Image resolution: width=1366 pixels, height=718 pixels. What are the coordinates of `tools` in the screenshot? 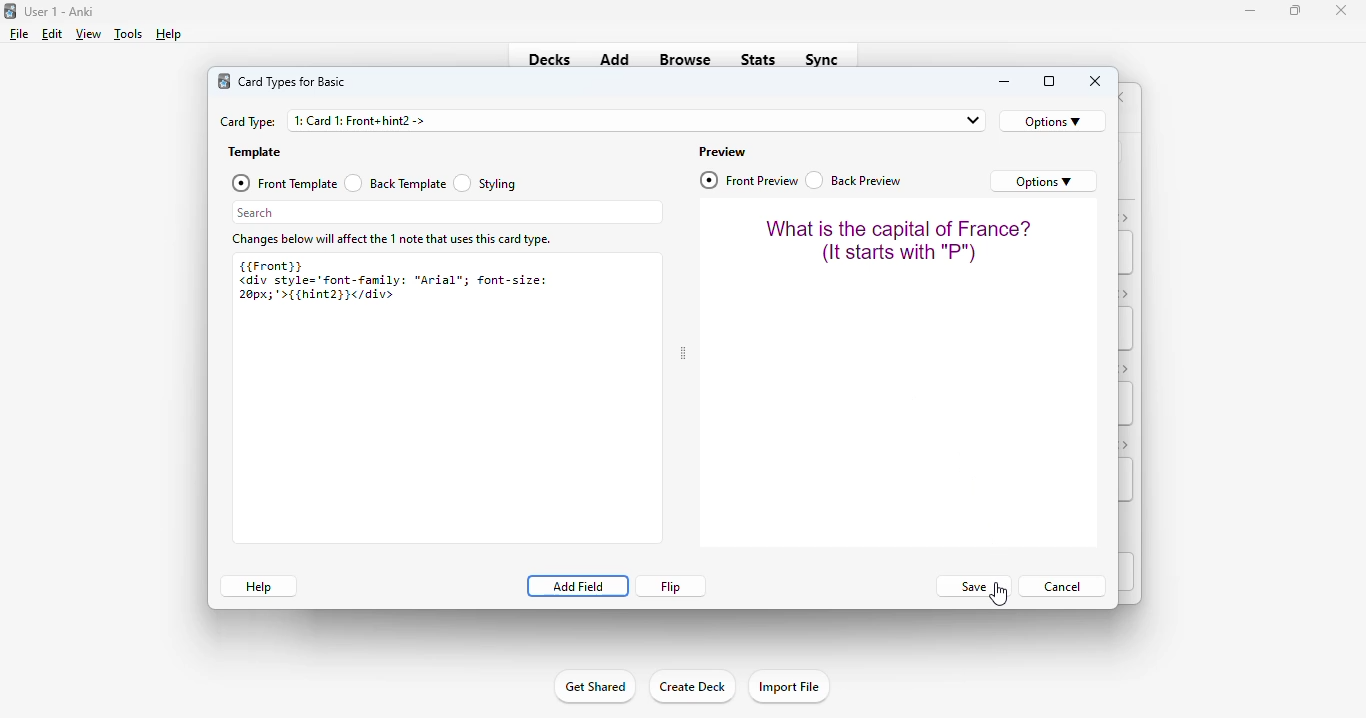 It's located at (129, 34).